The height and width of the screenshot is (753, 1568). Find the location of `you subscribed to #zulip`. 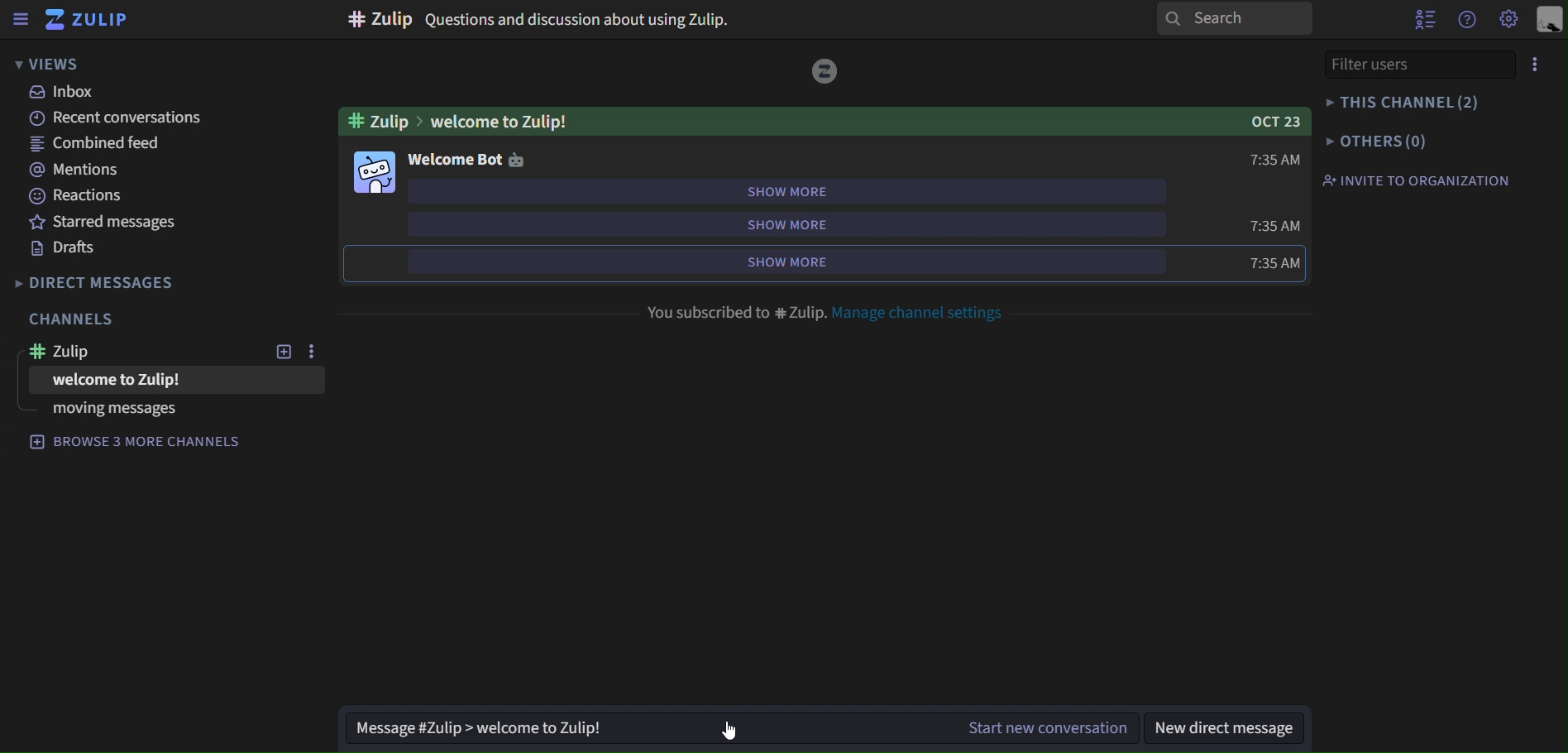

you subscribed to #zulip is located at coordinates (735, 309).